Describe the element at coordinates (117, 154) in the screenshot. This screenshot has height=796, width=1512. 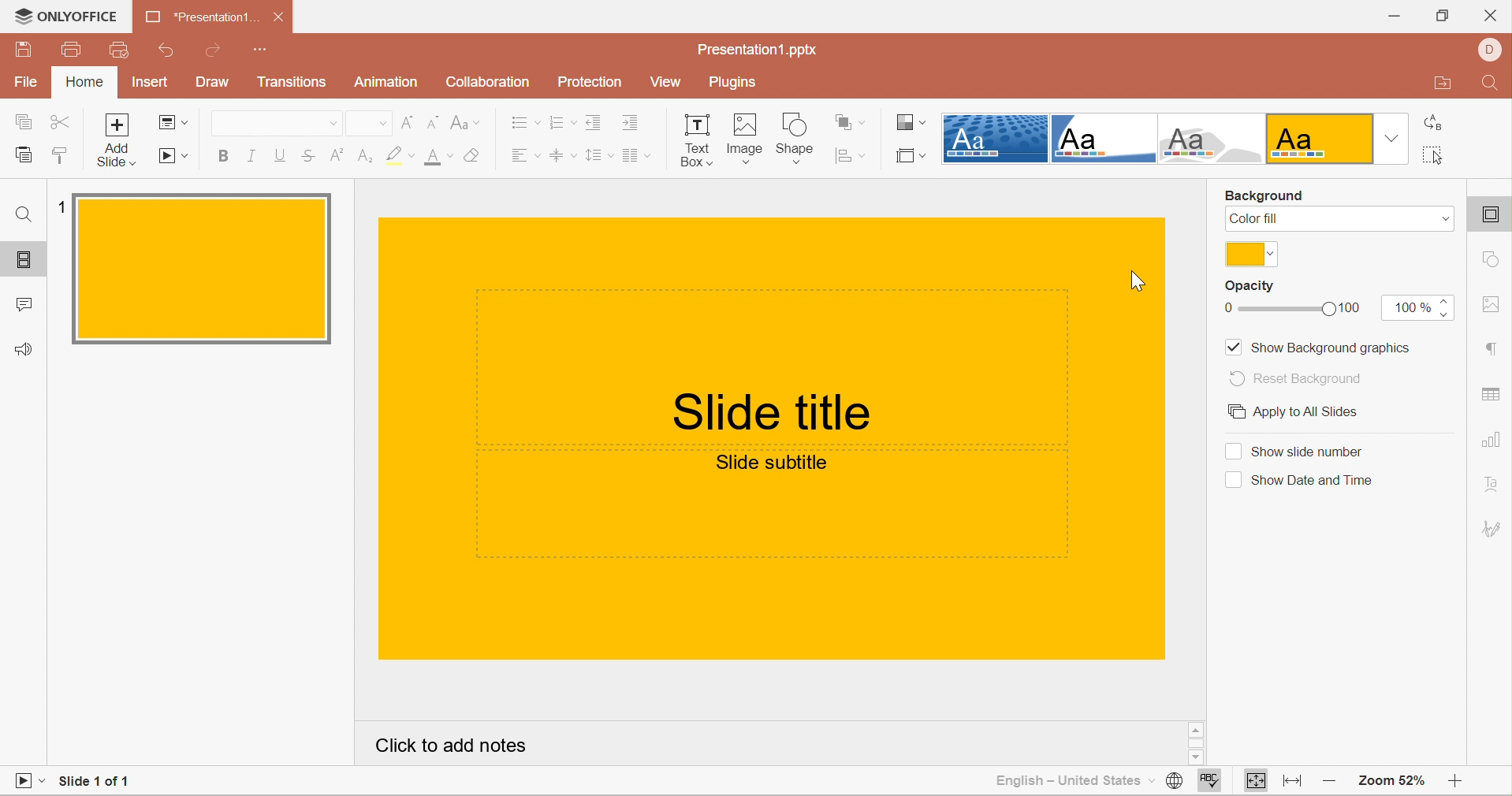
I see `add slide with theme` at that location.